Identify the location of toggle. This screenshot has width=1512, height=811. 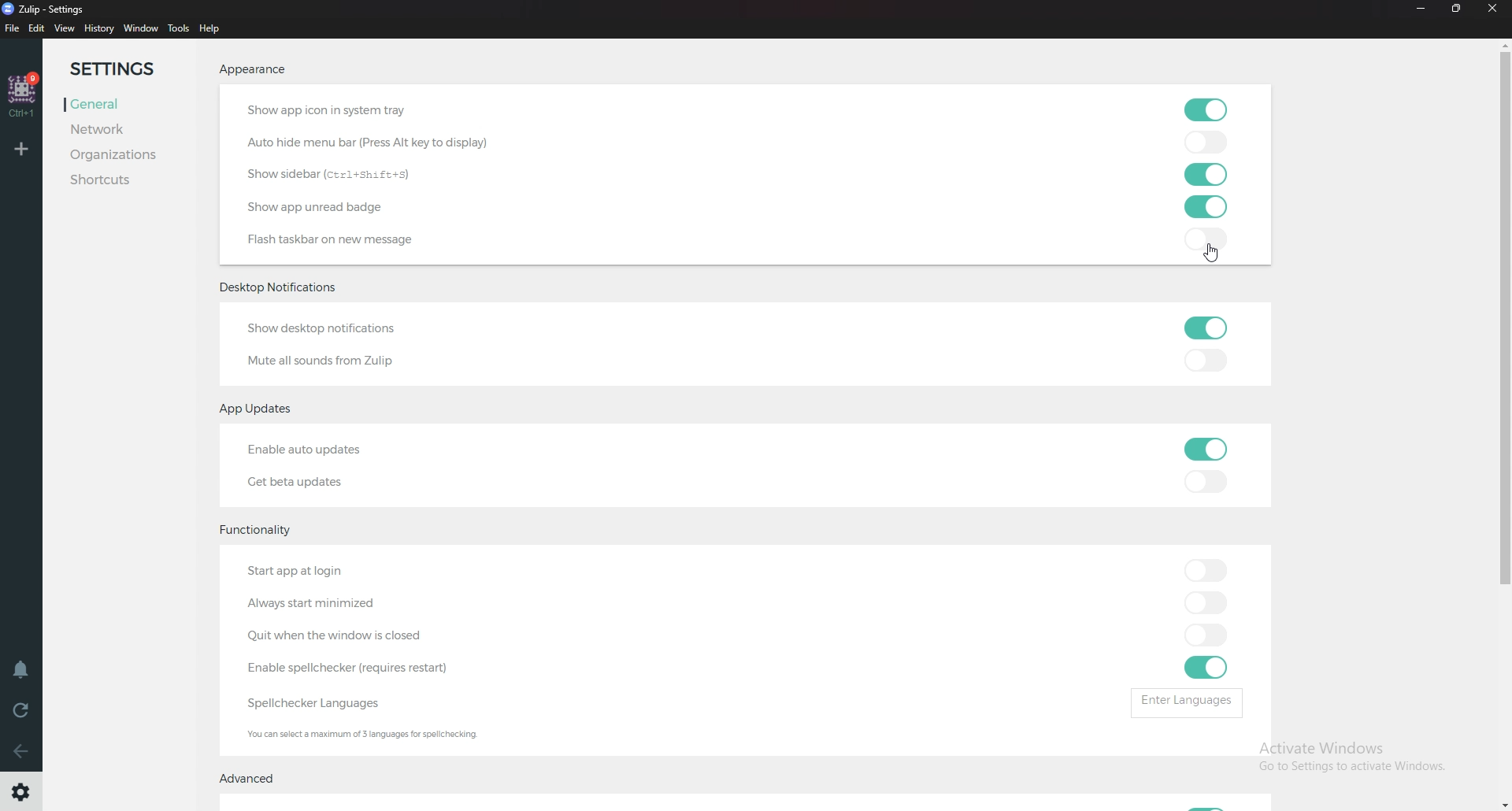
(1203, 569).